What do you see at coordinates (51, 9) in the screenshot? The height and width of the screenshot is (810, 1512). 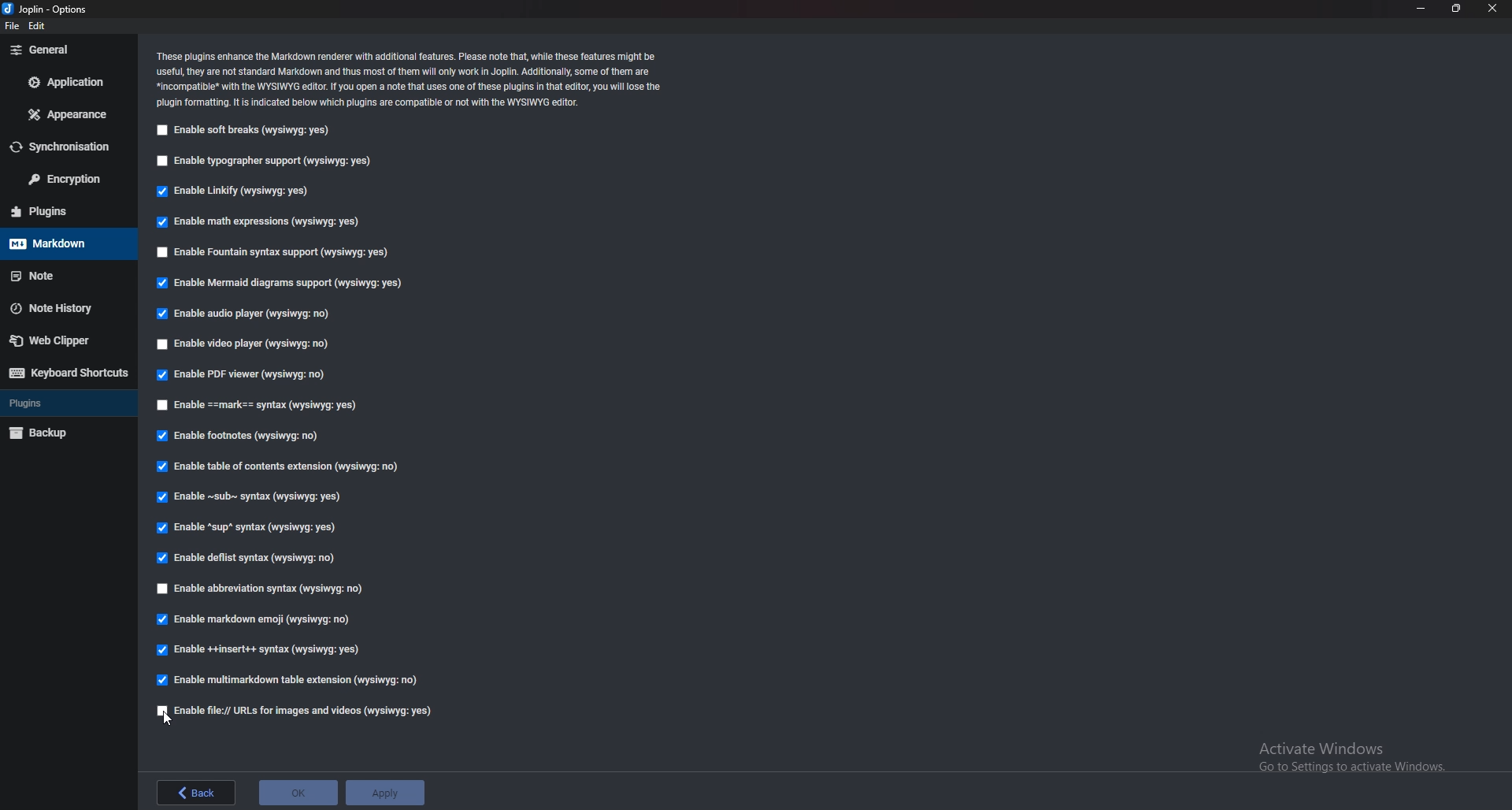 I see `joplin` at bounding box center [51, 9].